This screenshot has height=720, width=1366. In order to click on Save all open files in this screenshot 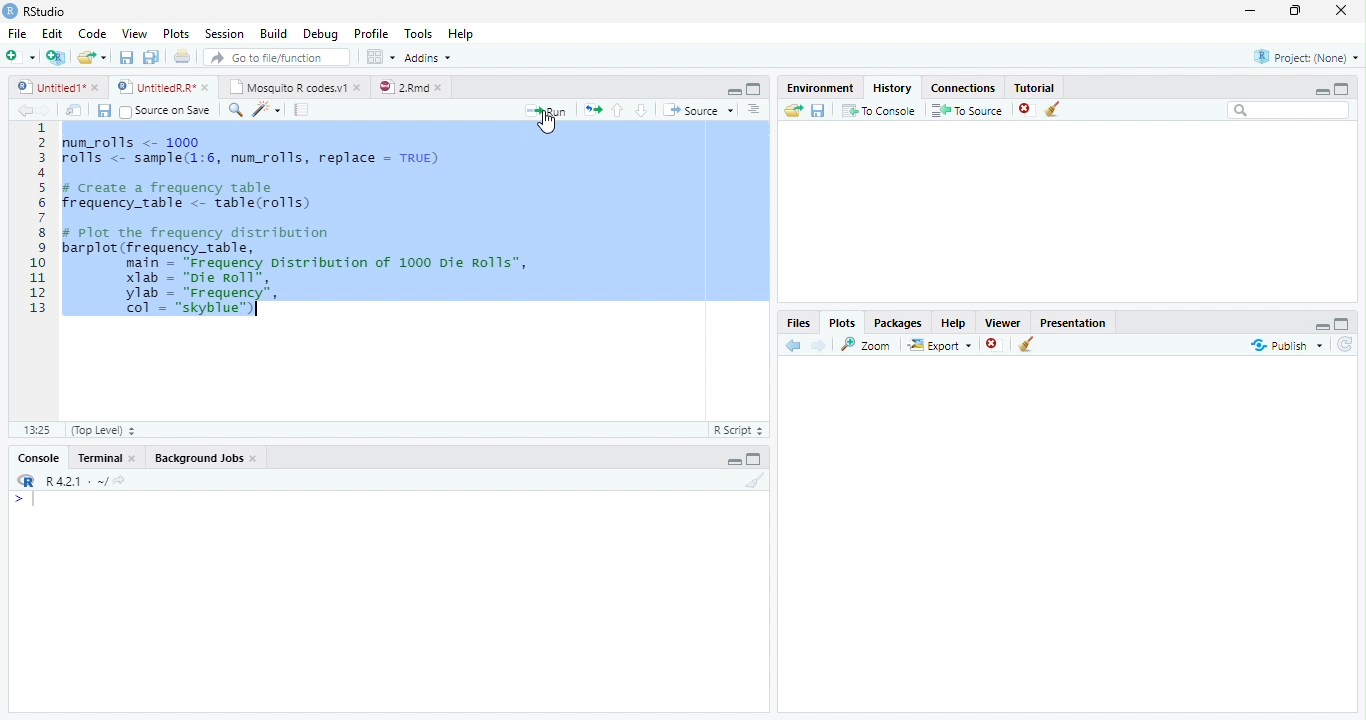, I will do `click(151, 57)`.